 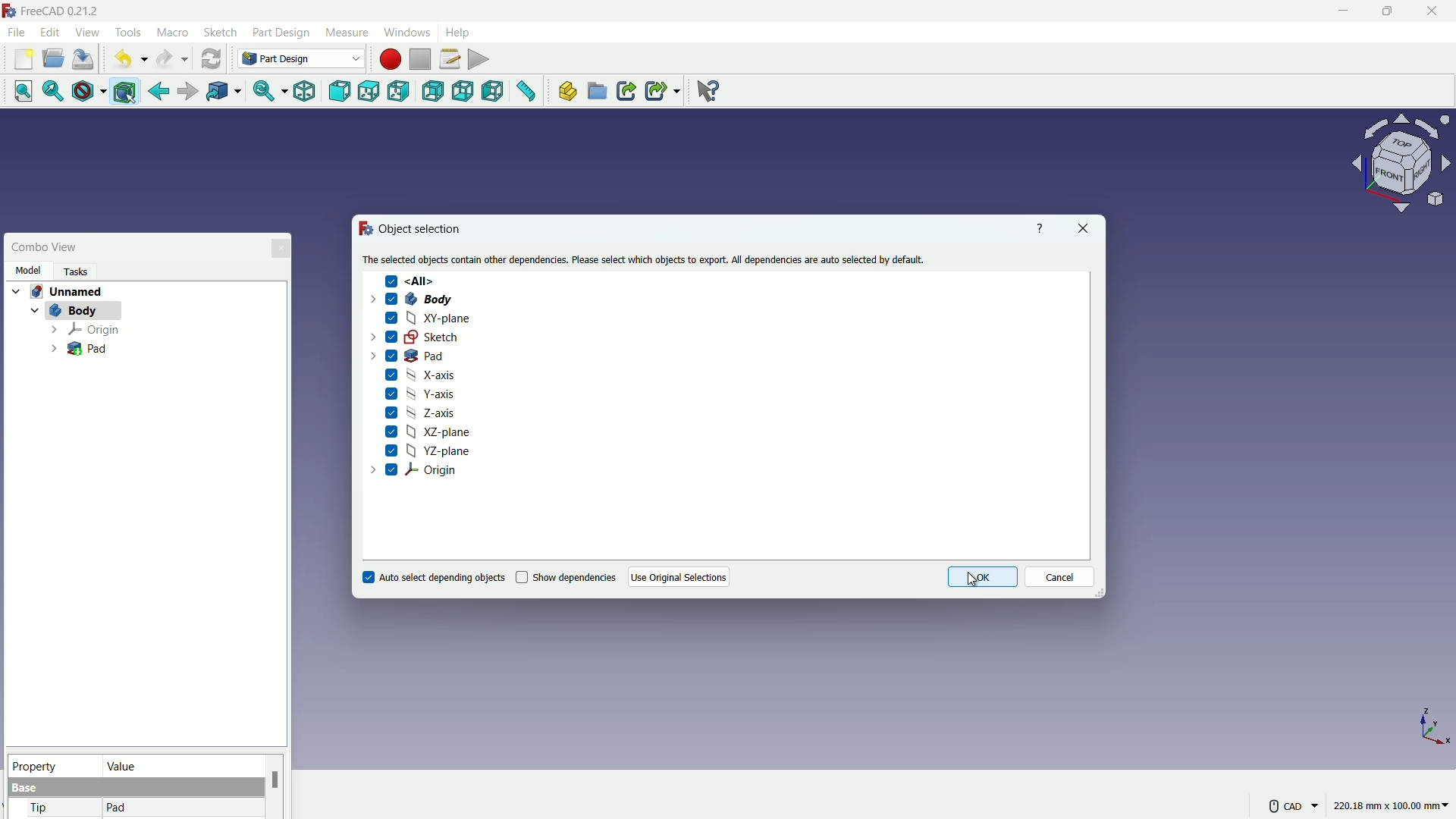 I want to click on CAD, so click(x=1291, y=805).